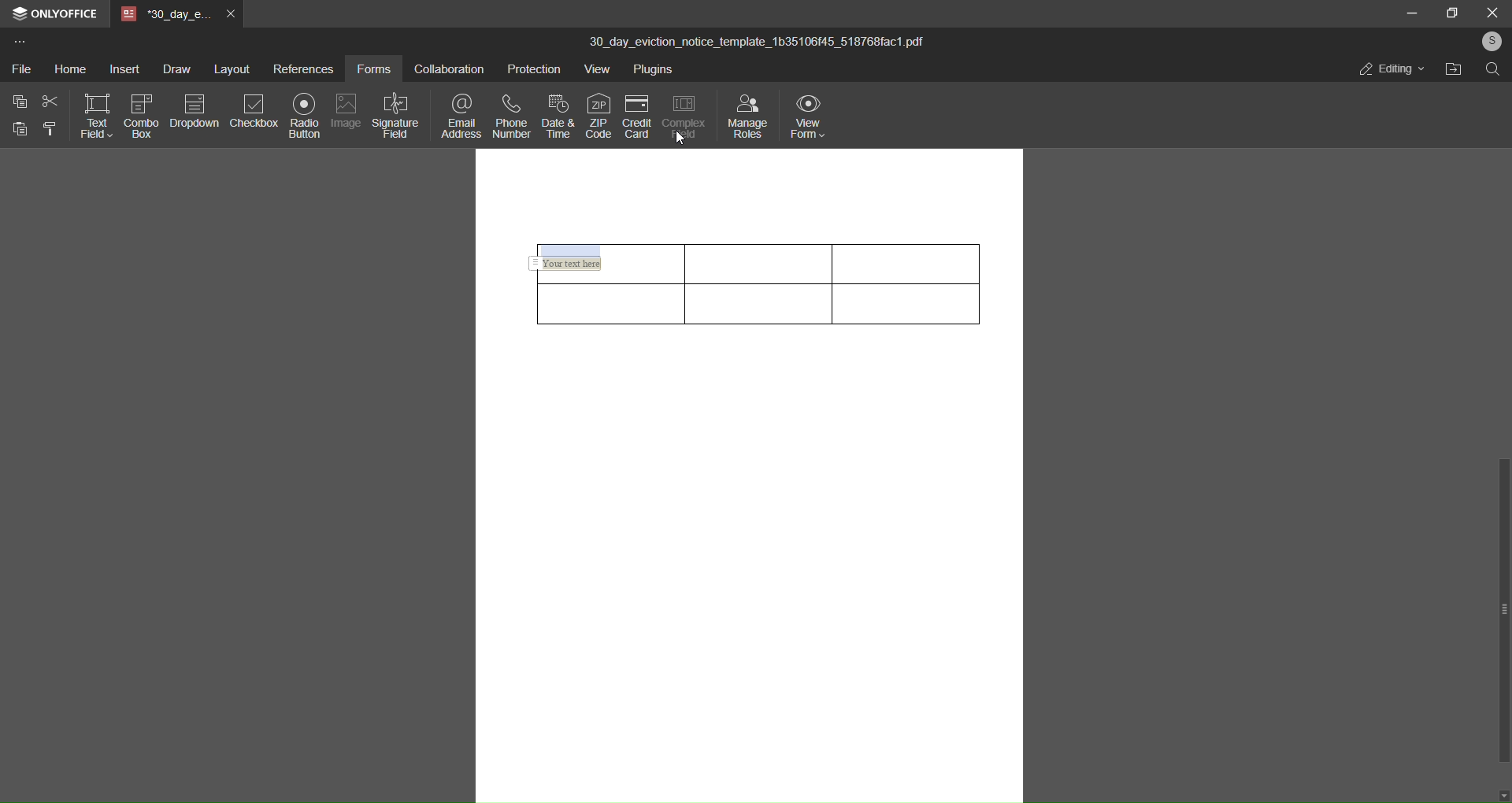 This screenshot has width=1512, height=803. Describe the element at coordinates (20, 70) in the screenshot. I see `file` at that location.